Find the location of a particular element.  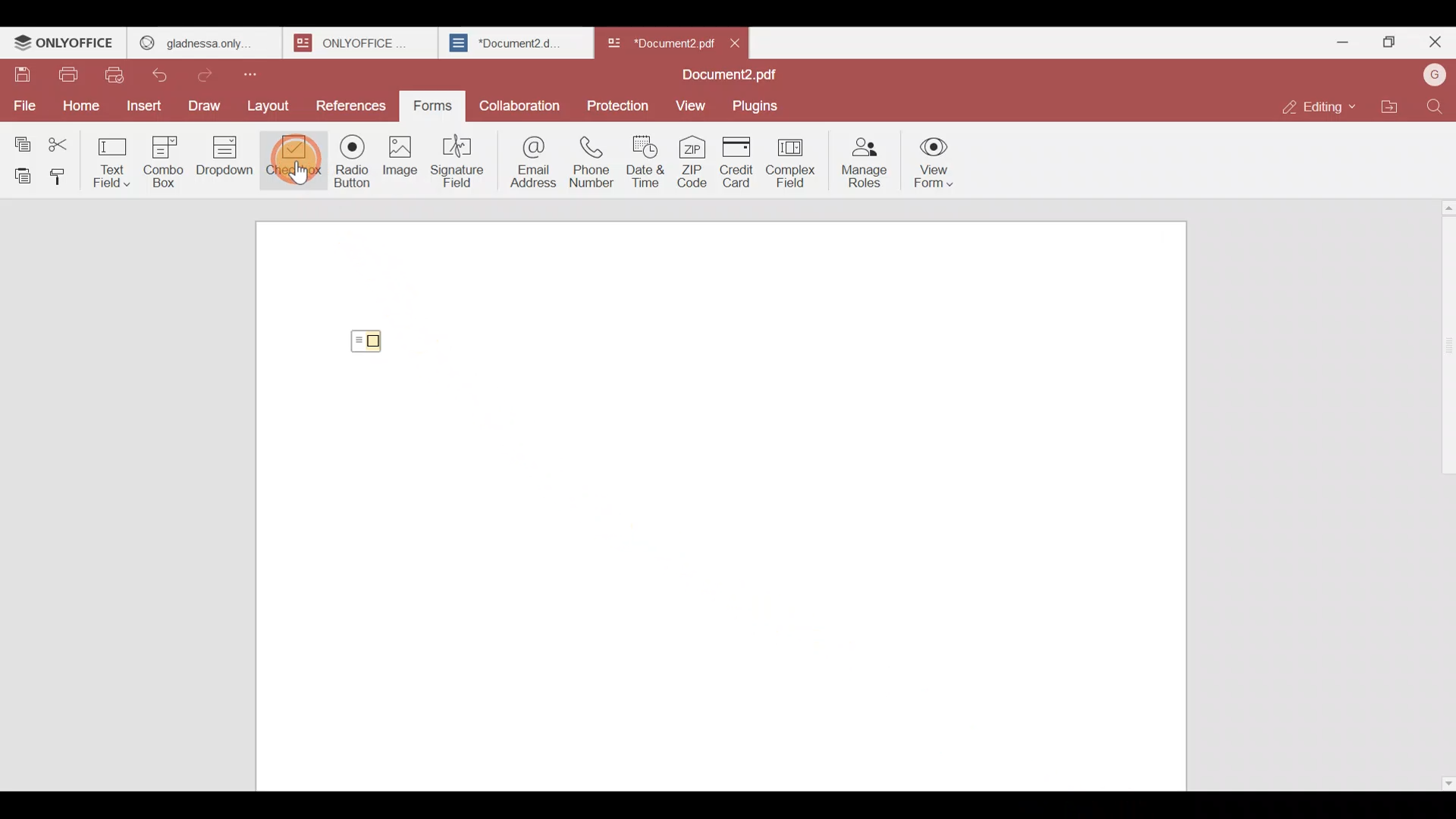

File is located at coordinates (24, 104).